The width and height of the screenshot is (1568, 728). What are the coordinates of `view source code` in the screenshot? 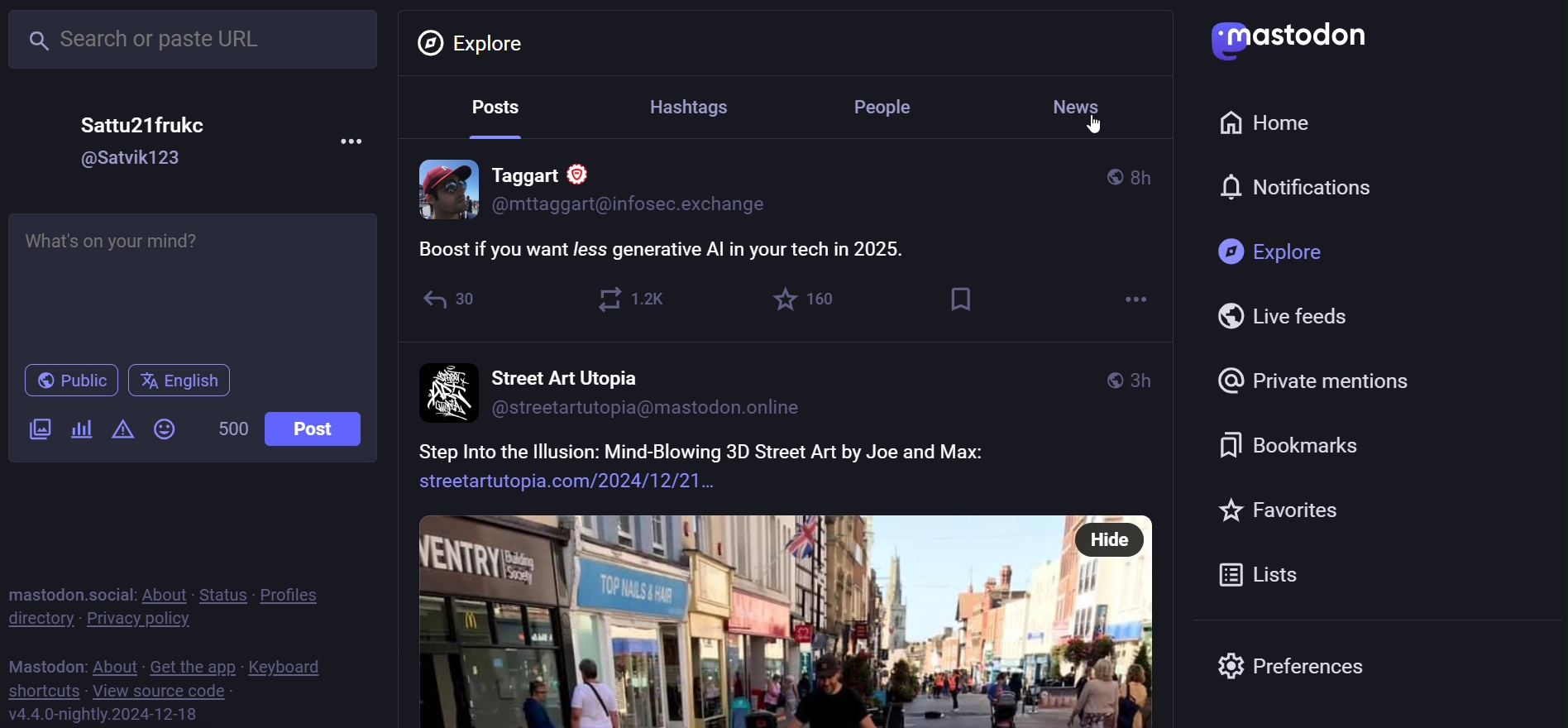 It's located at (169, 692).